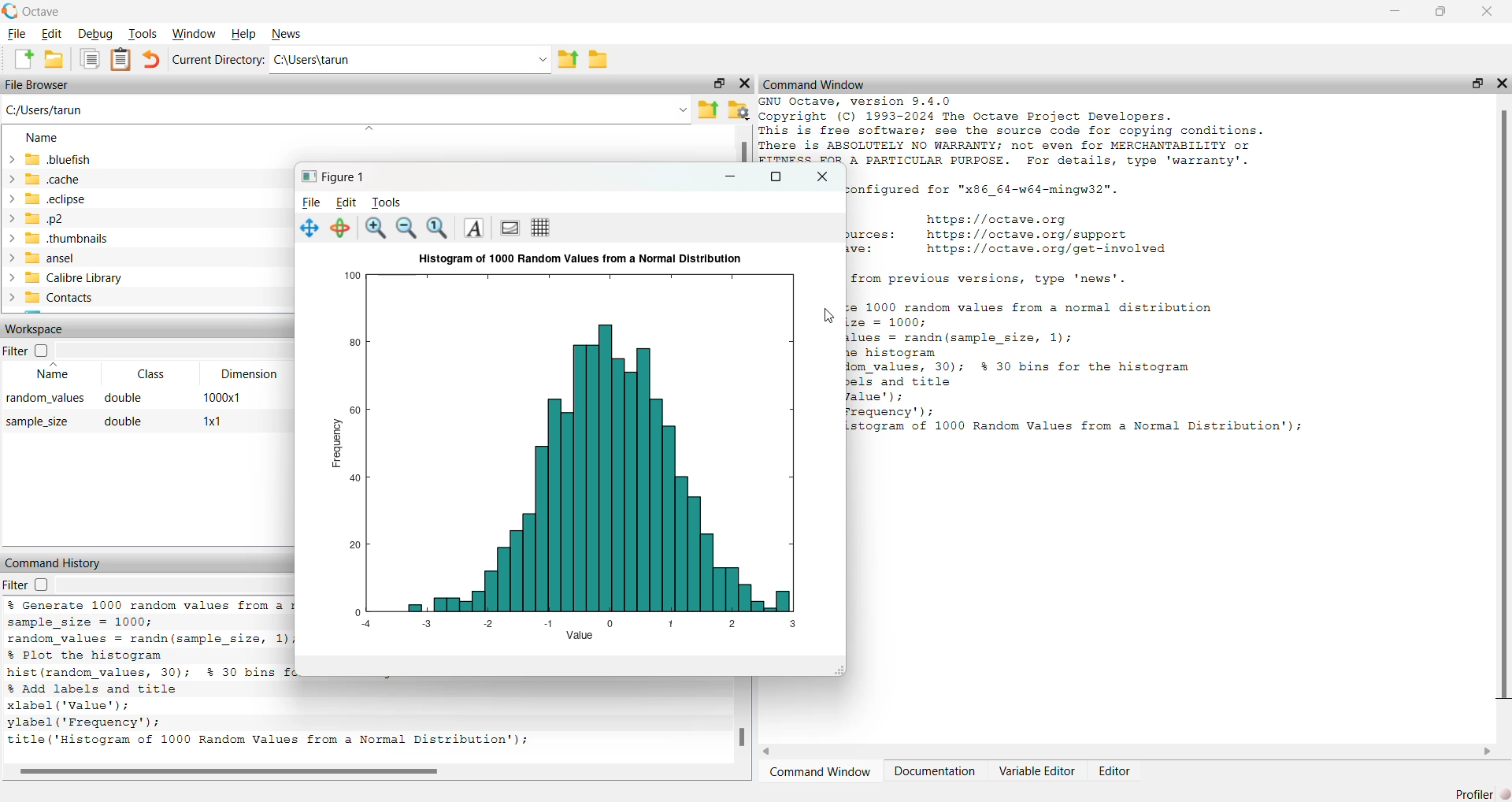  I want to click on Edit, so click(346, 203).